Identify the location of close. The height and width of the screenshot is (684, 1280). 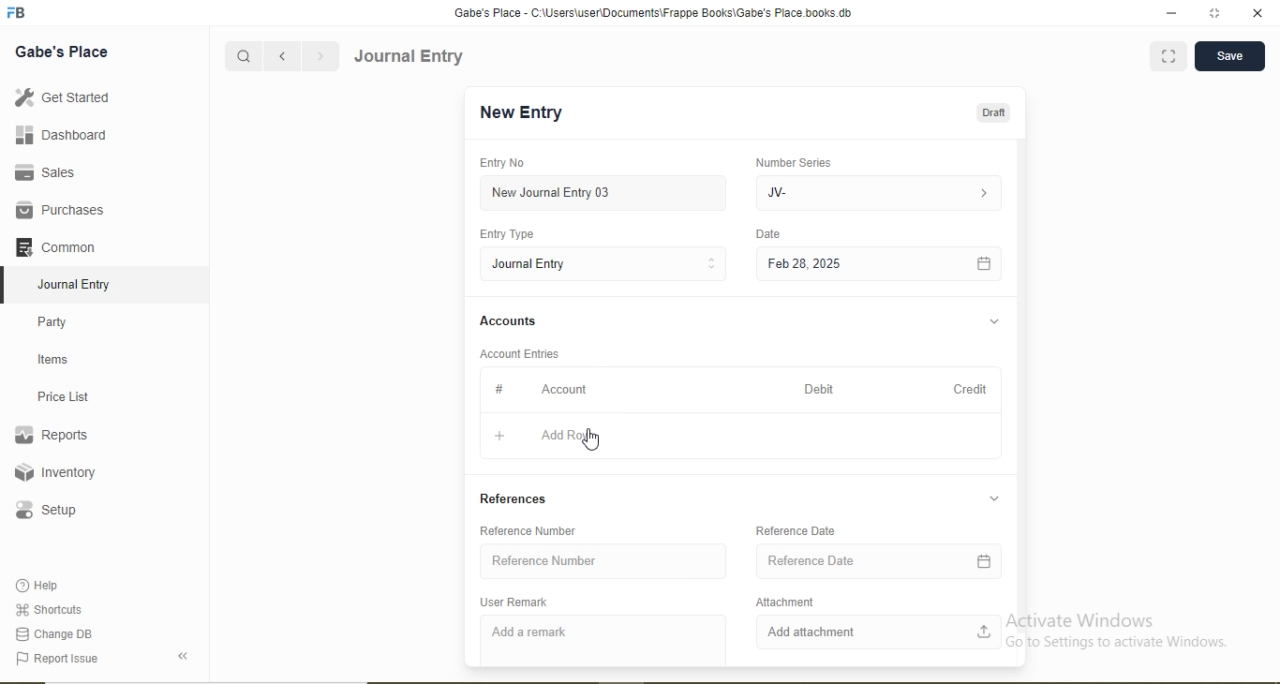
(1259, 13).